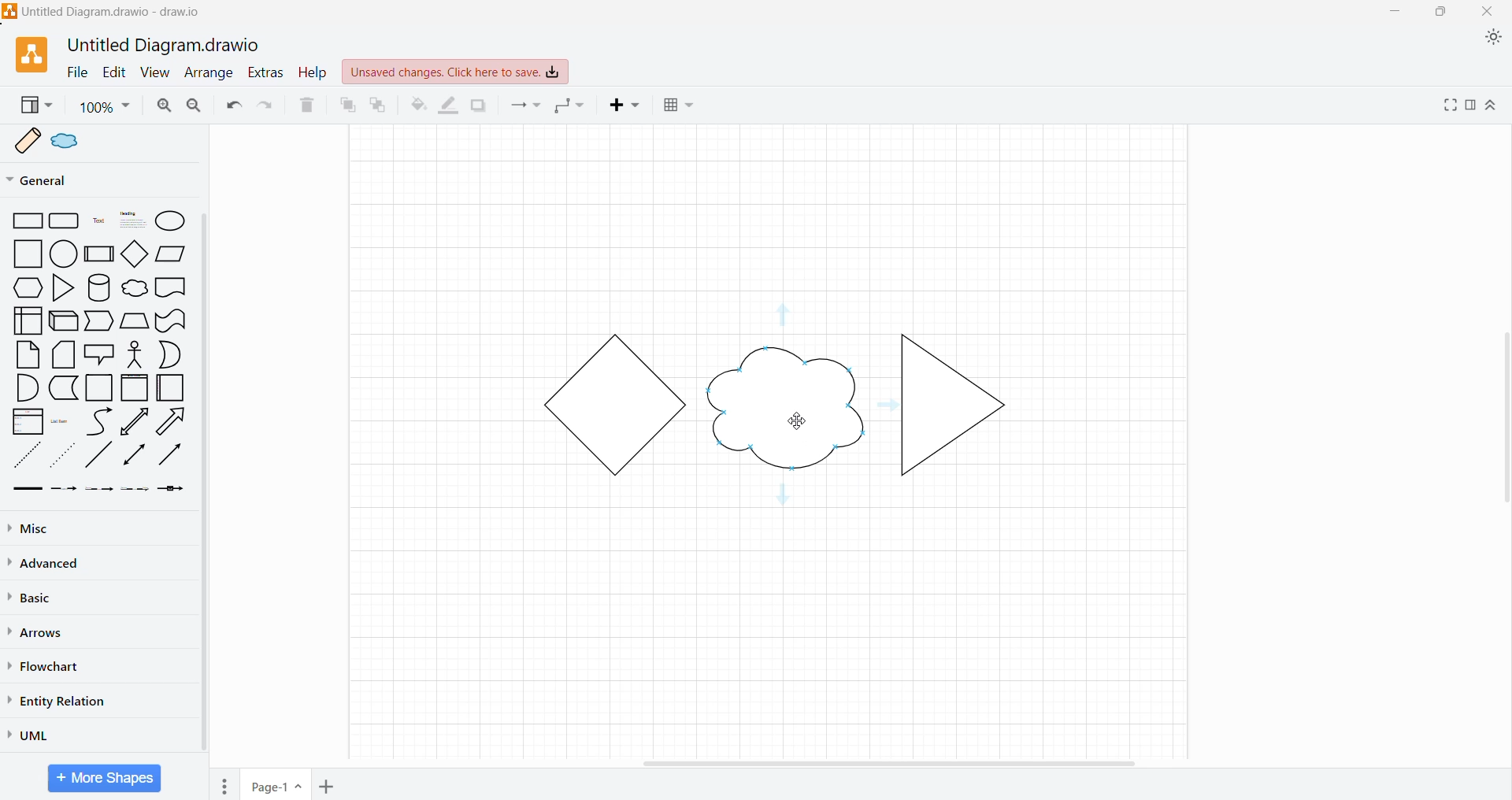 The image size is (1512, 800). What do you see at coordinates (114, 72) in the screenshot?
I see `Edit` at bounding box center [114, 72].